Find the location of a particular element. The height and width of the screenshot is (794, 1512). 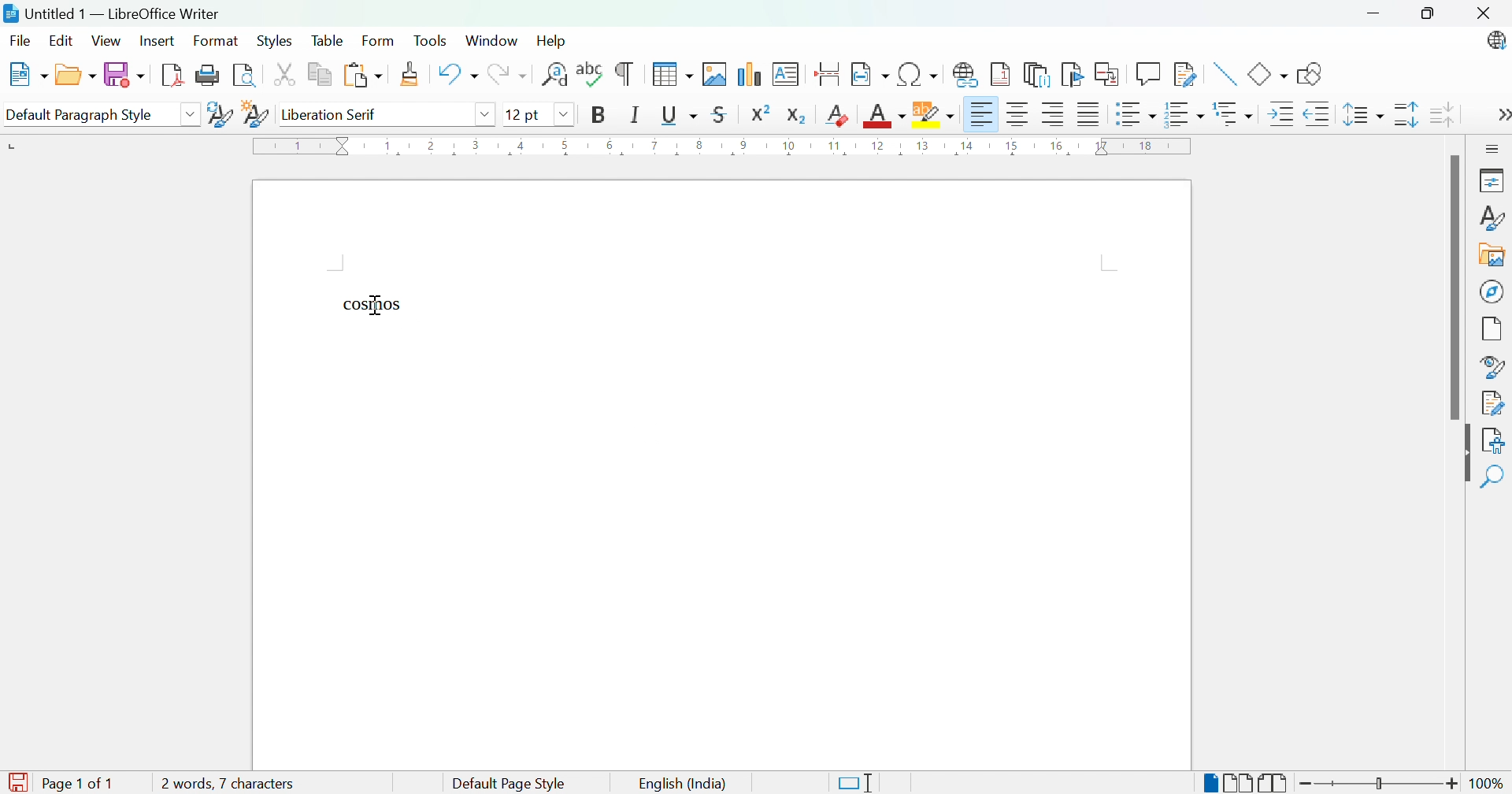

Character highlighting color is located at coordinates (934, 114).